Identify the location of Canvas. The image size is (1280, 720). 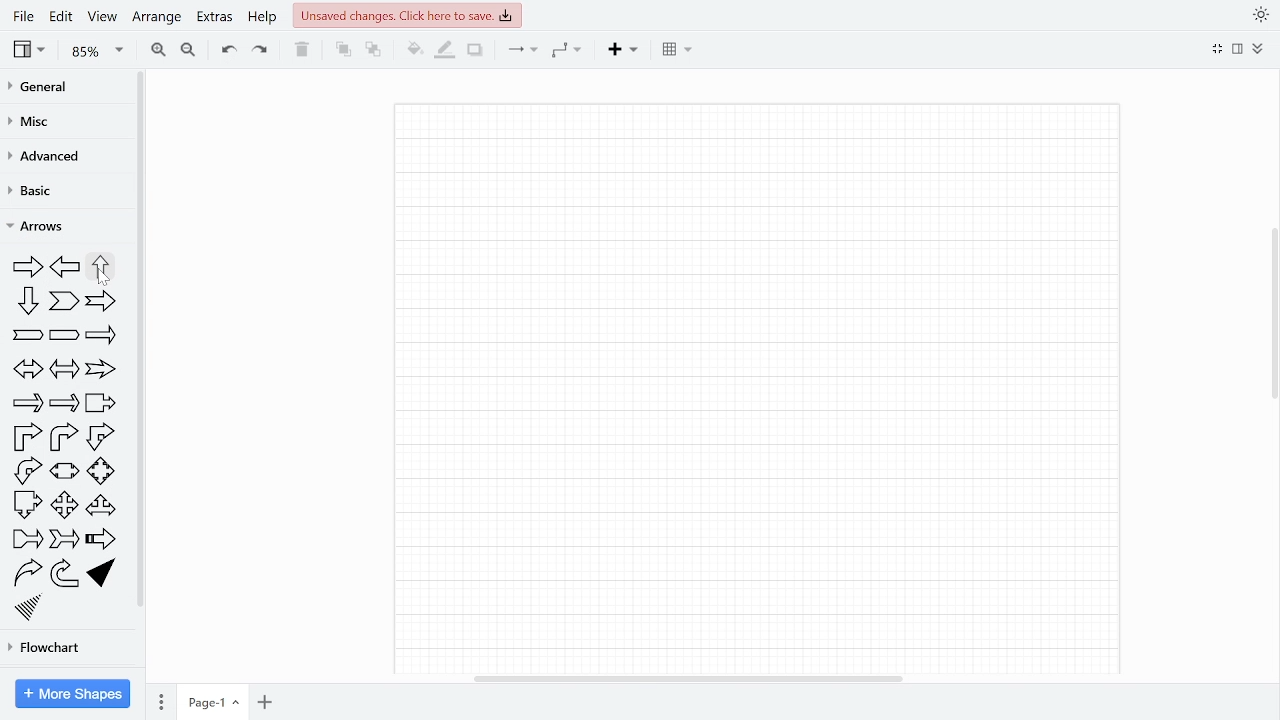
(772, 389).